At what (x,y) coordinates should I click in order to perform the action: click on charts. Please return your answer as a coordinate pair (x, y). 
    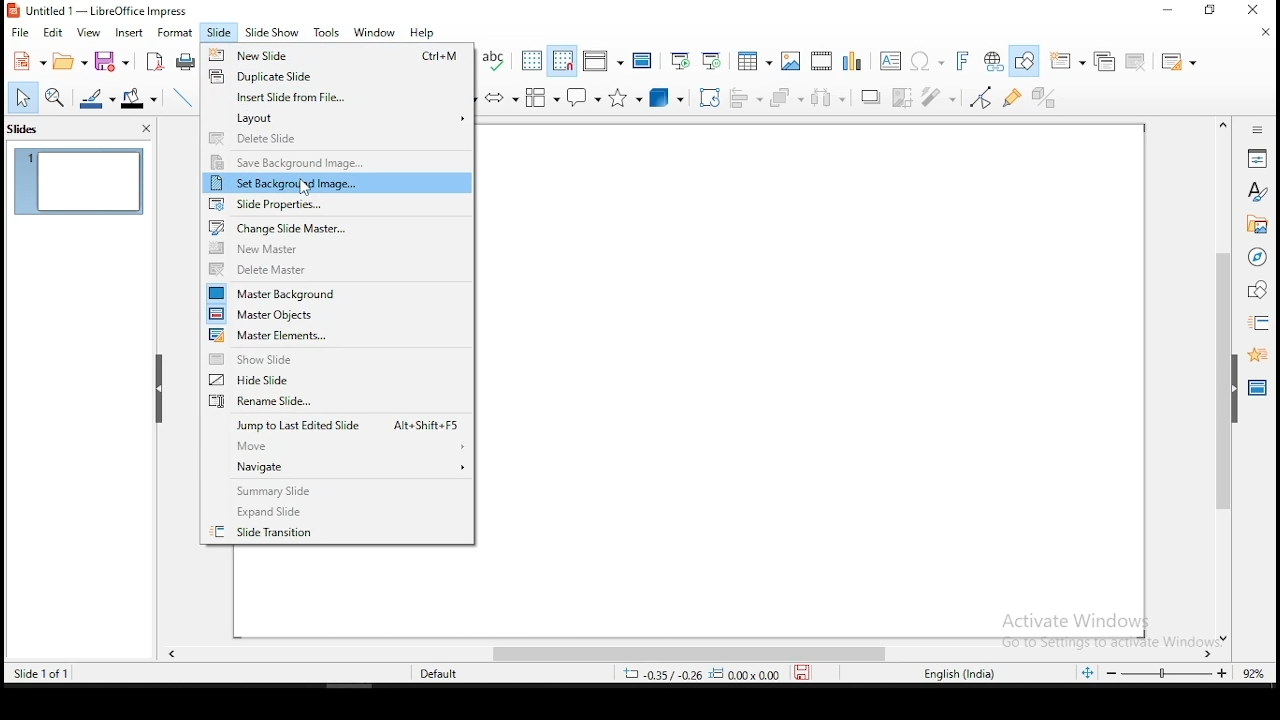
    Looking at the image, I should click on (855, 62).